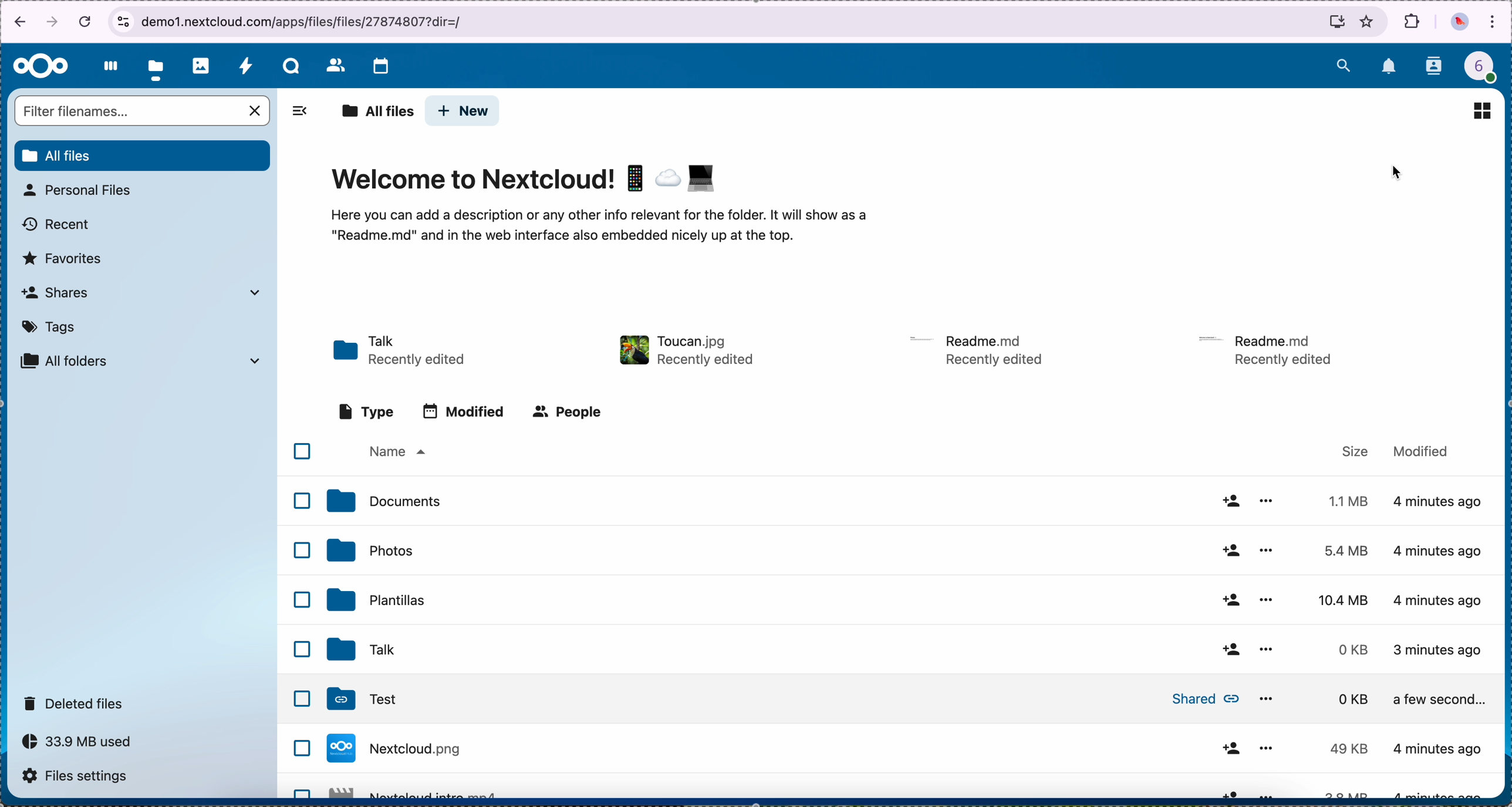 This screenshot has width=1512, height=807. What do you see at coordinates (1264, 748) in the screenshot?
I see `more options` at bounding box center [1264, 748].